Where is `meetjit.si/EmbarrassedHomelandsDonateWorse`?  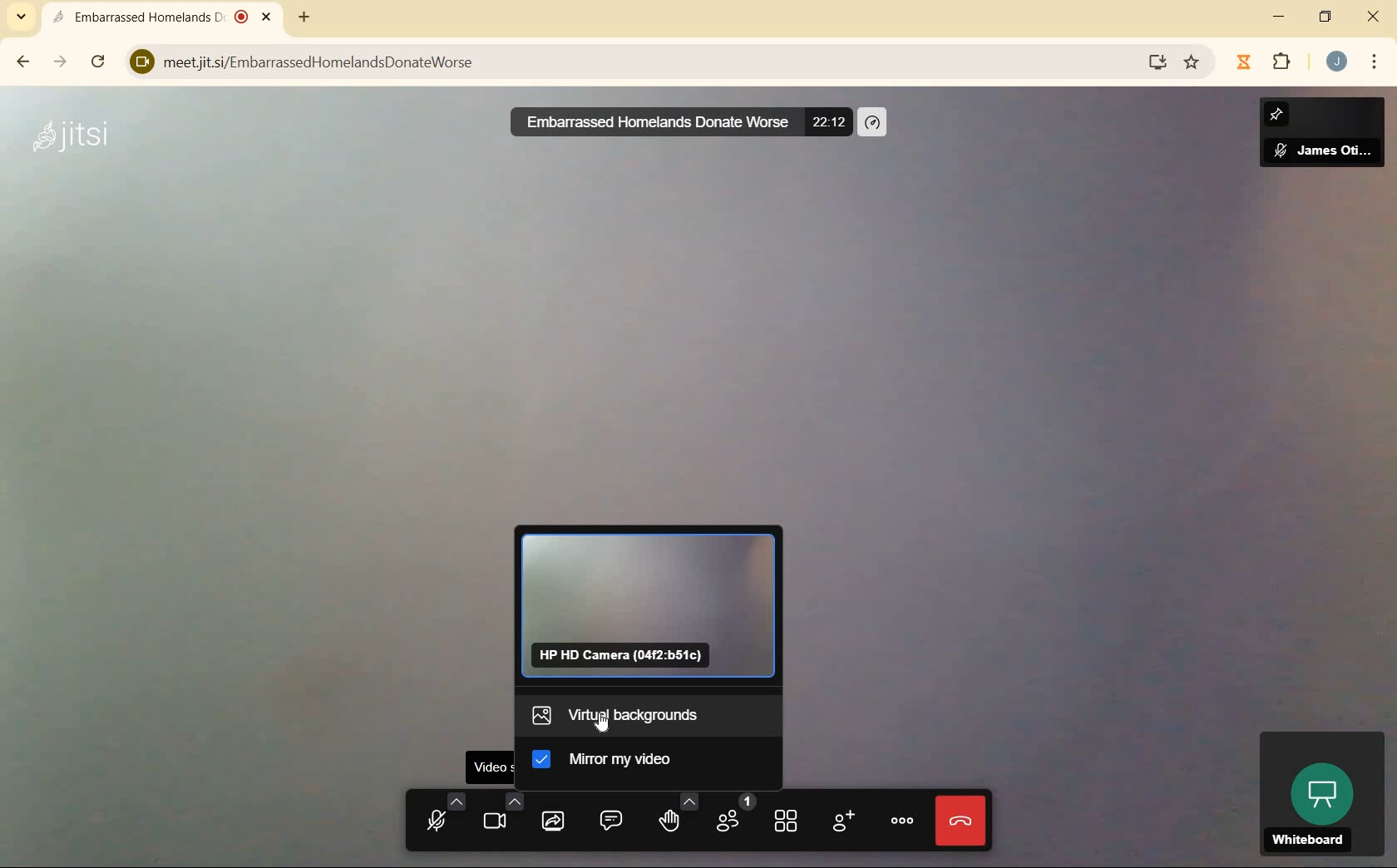 meetjit.si/EmbarrassedHomelandsDonateWorse is located at coordinates (620, 58).